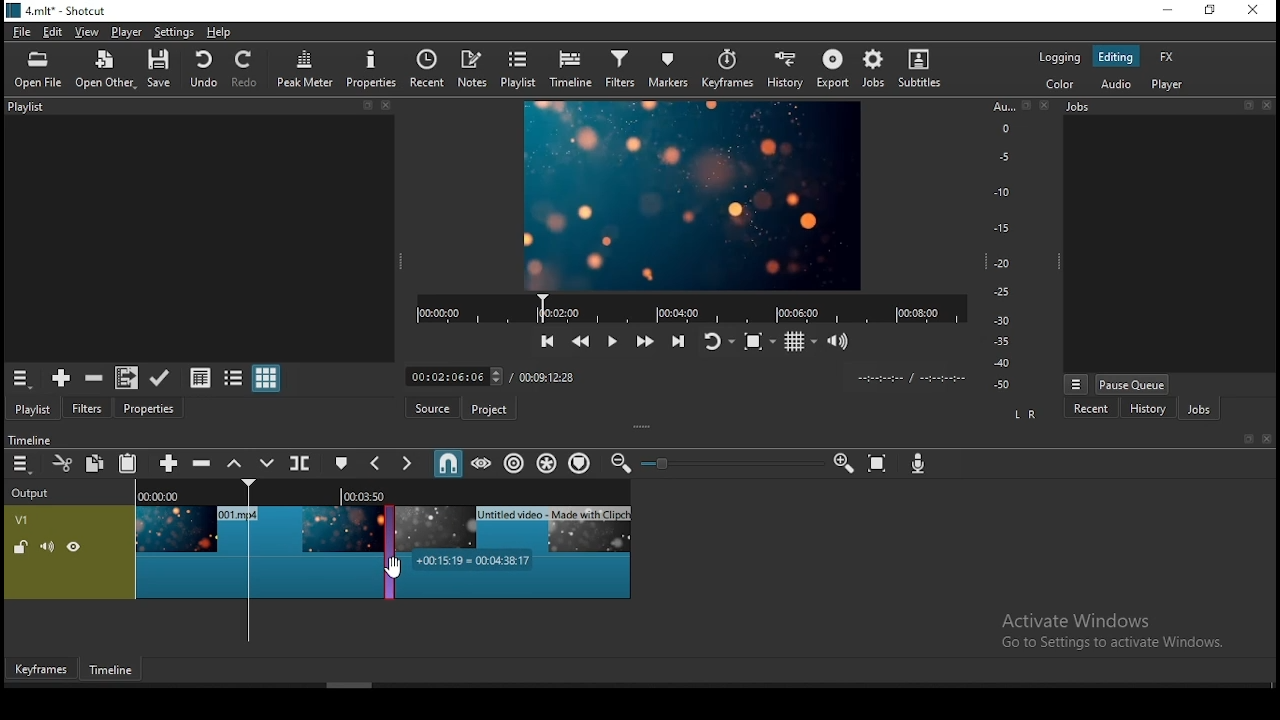 The height and width of the screenshot is (720, 1280). I want to click on video track, so click(70, 551).